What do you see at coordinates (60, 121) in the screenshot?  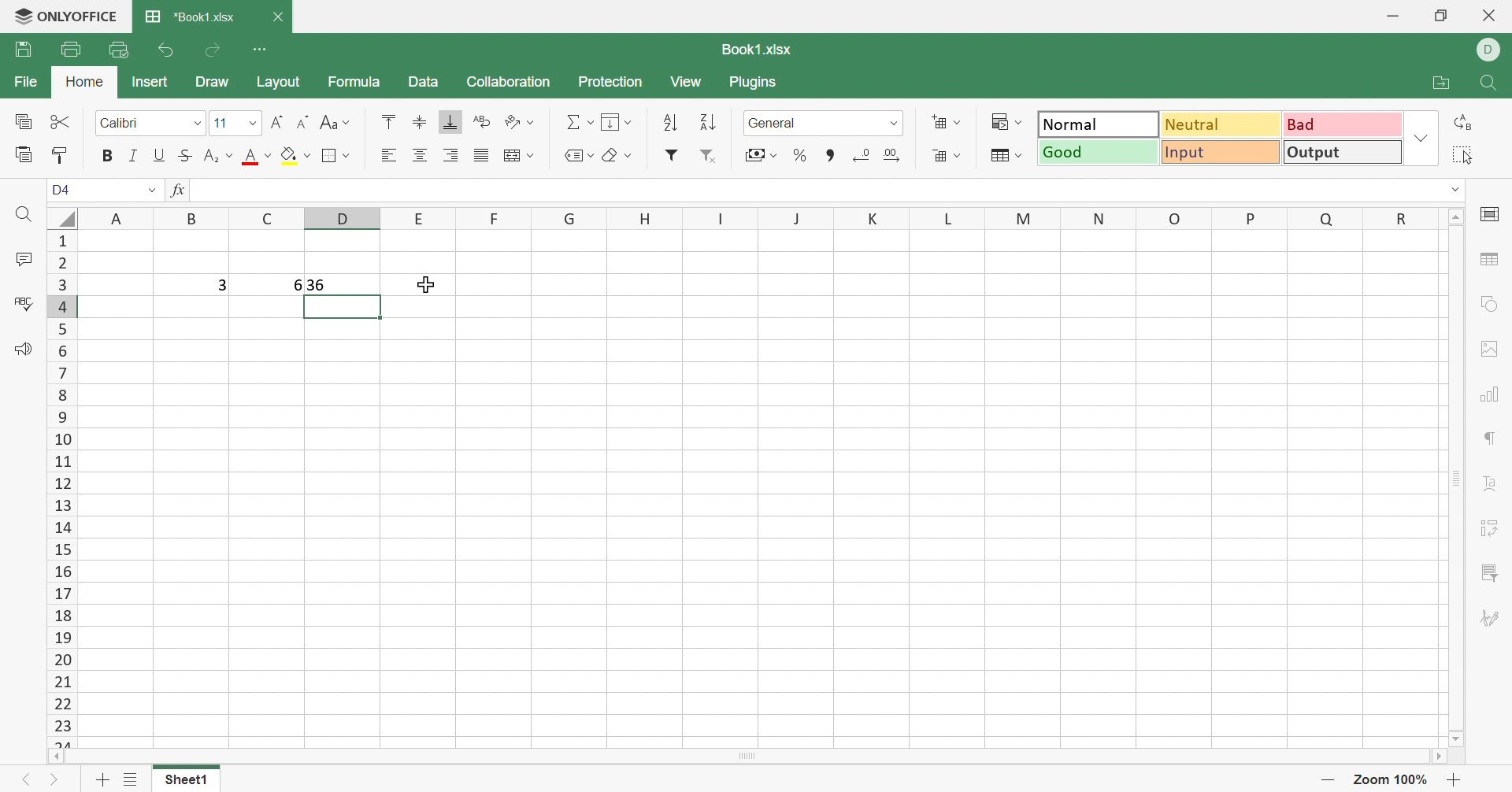 I see `Cut` at bounding box center [60, 121].